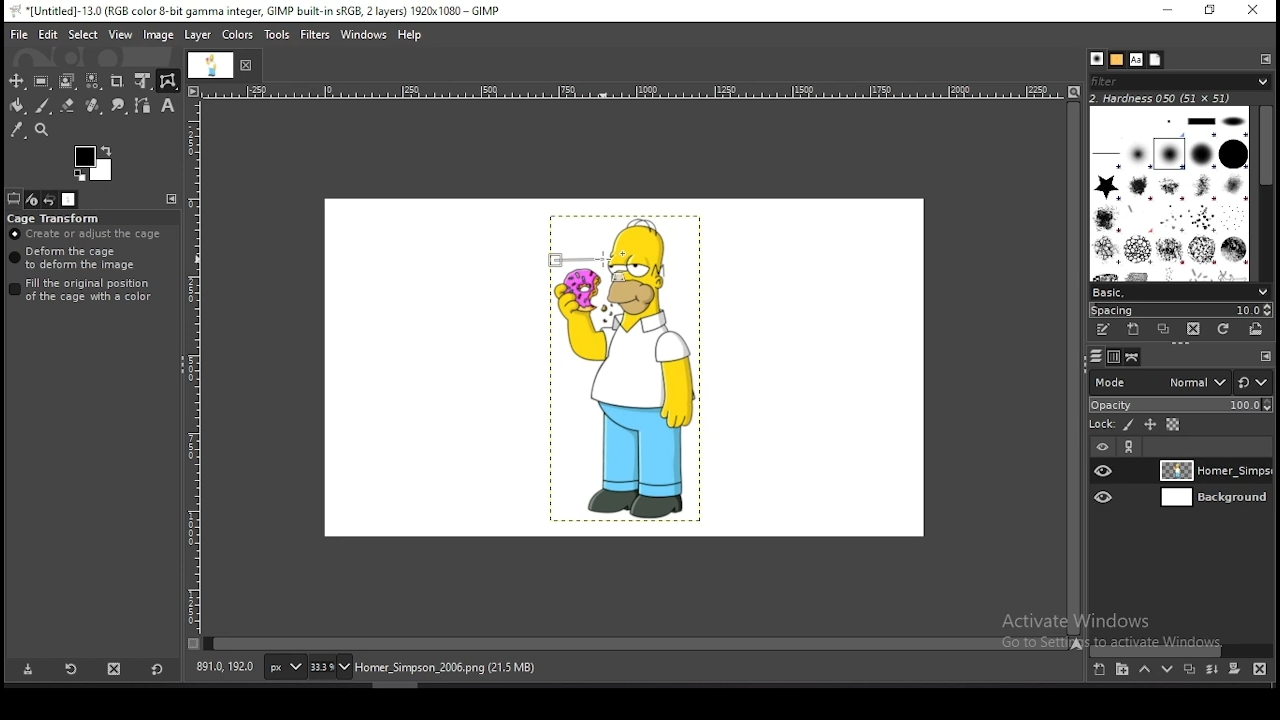  Describe the element at coordinates (160, 37) in the screenshot. I see `image` at that location.